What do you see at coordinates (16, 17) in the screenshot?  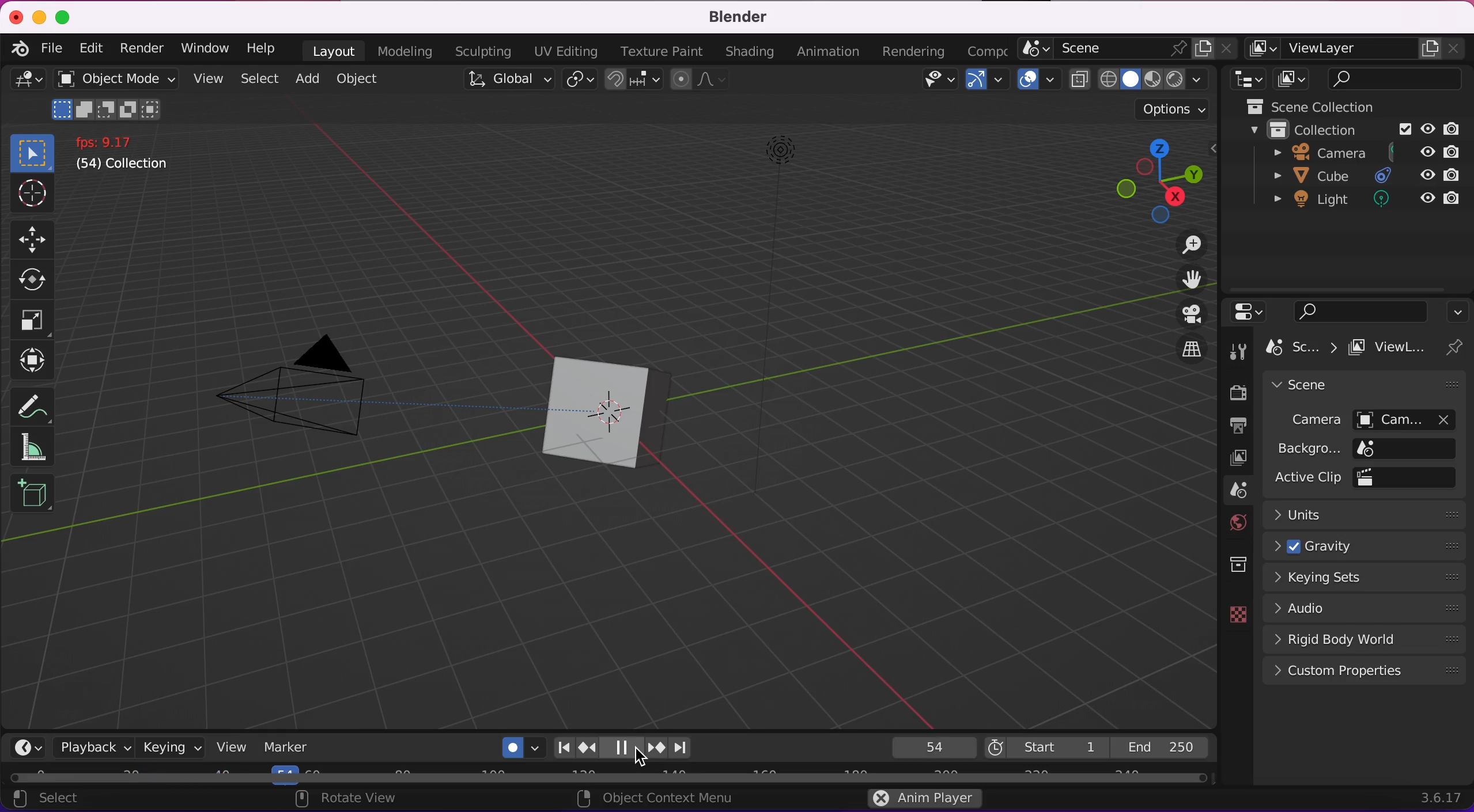 I see `close` at bounding box center [16, 17].